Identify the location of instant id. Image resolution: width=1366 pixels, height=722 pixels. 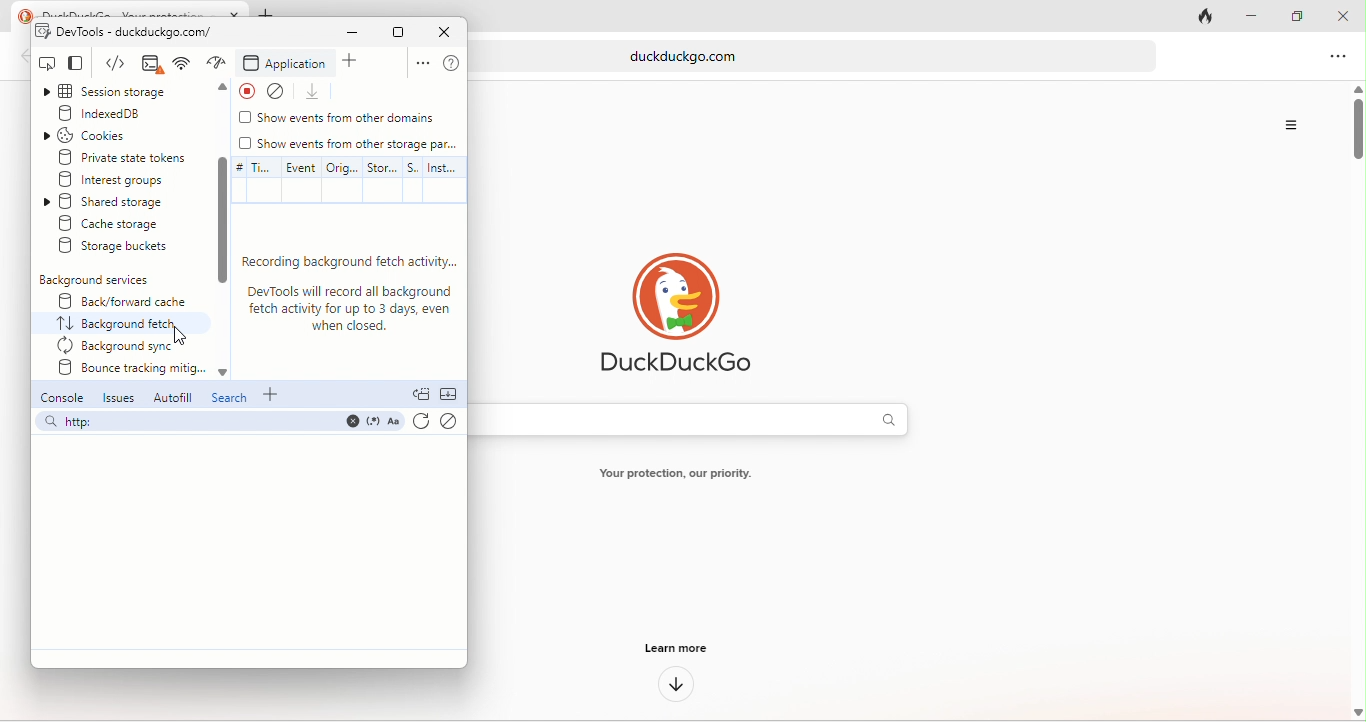
(444, 181).